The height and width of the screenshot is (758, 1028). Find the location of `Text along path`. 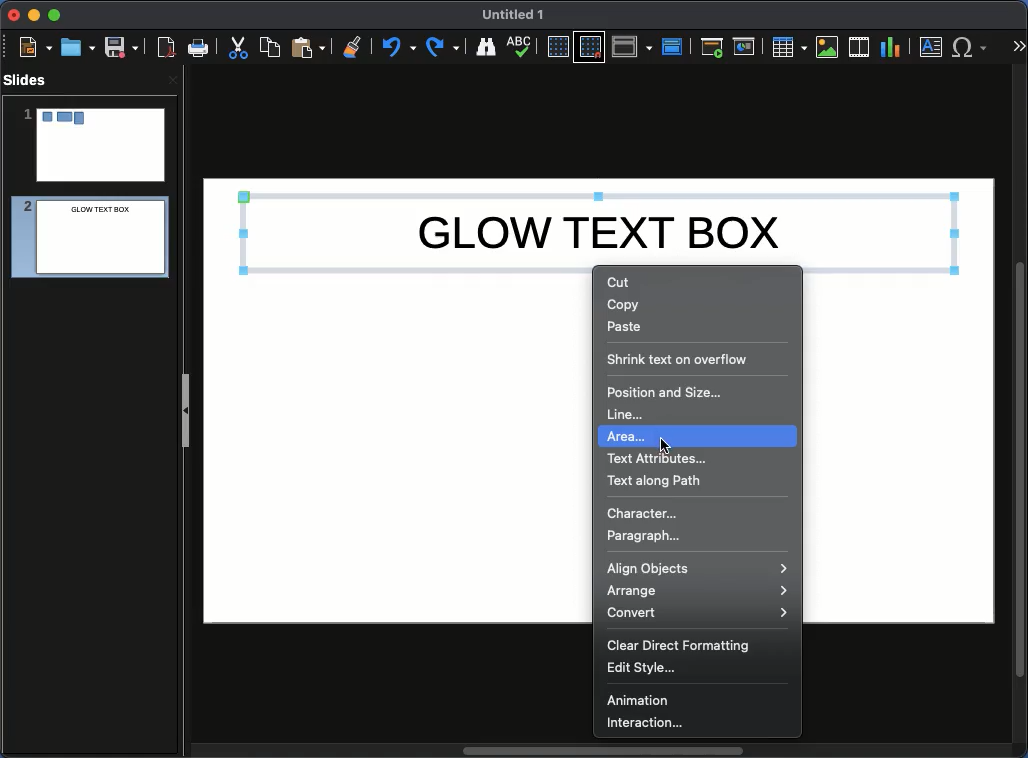

Text along path is located at coordinates (656, 481).